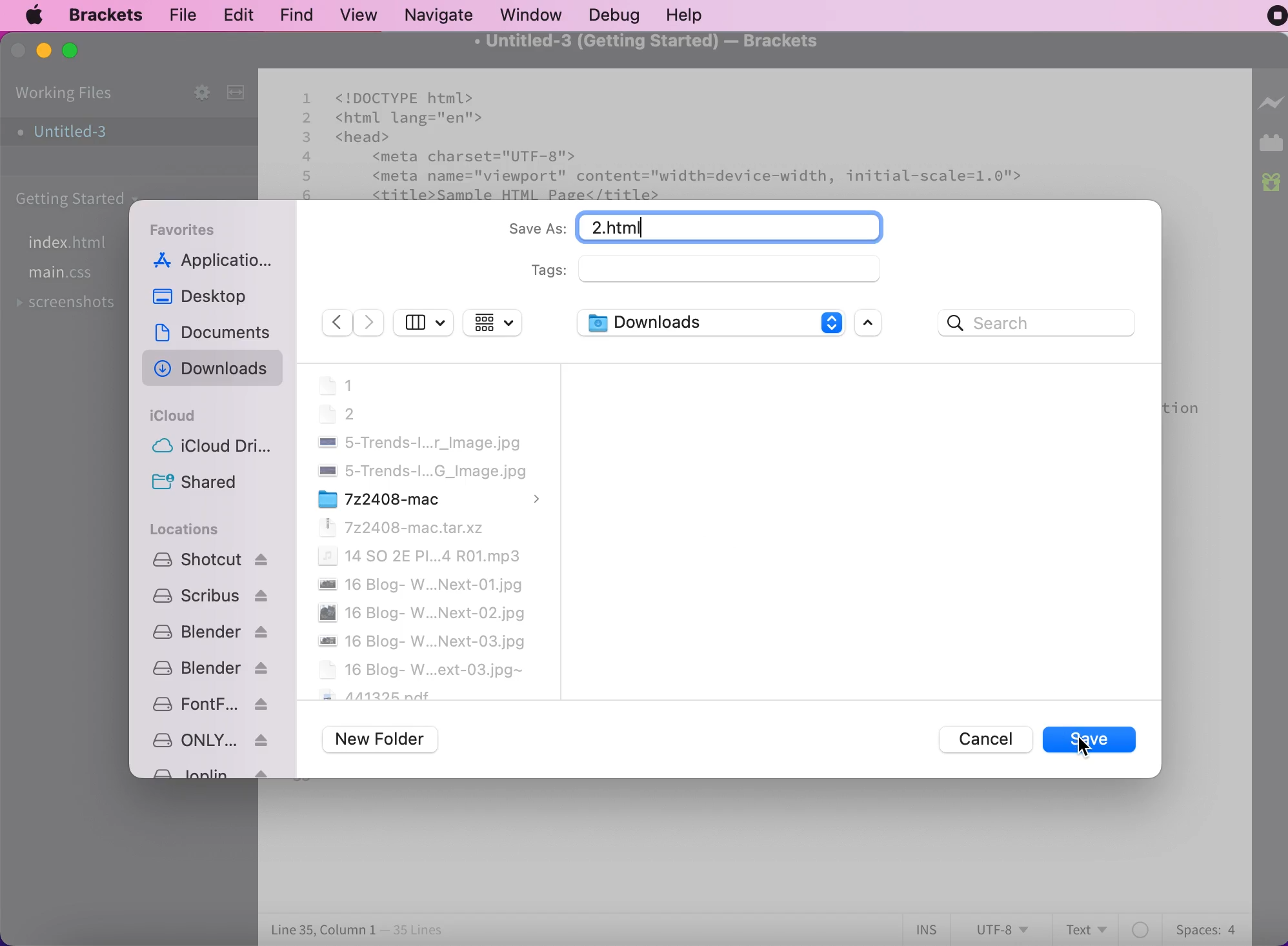  What do you see at coordinates (241, 13) in the screenshot?
I see `edit` at bounding box center [241, 13].